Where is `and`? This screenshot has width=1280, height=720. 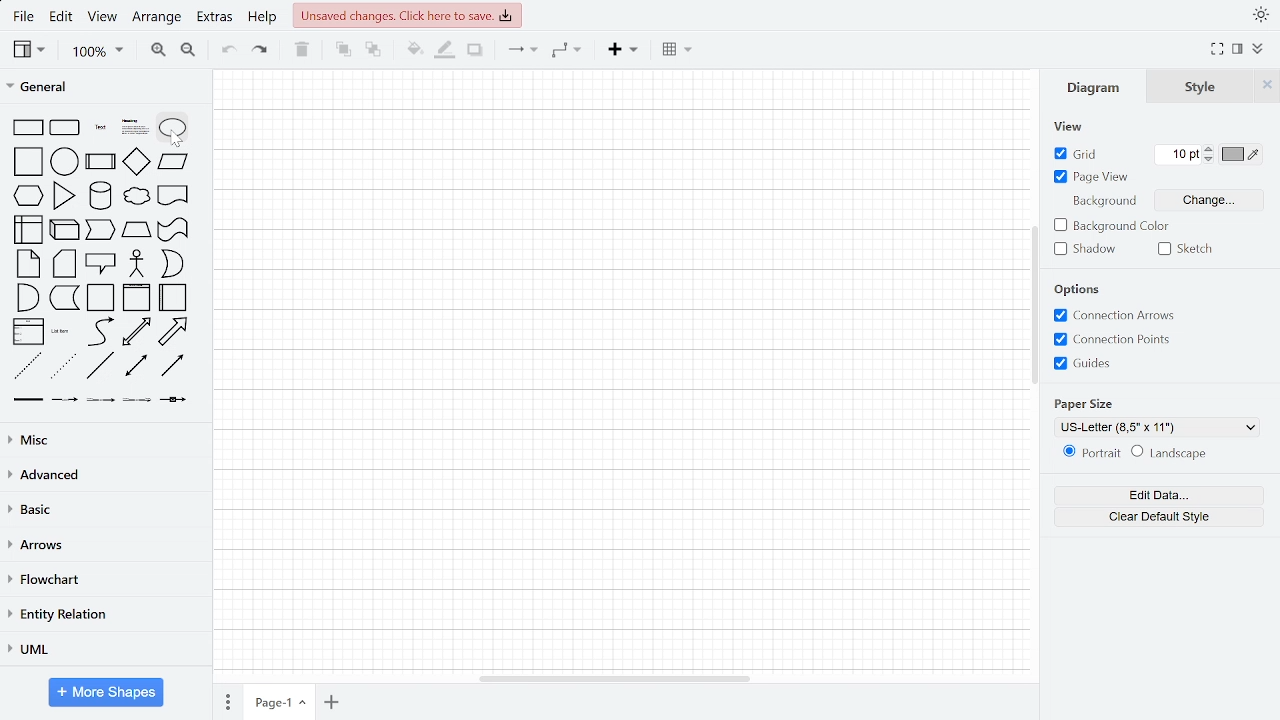 and is located at coordinates (30, 296).